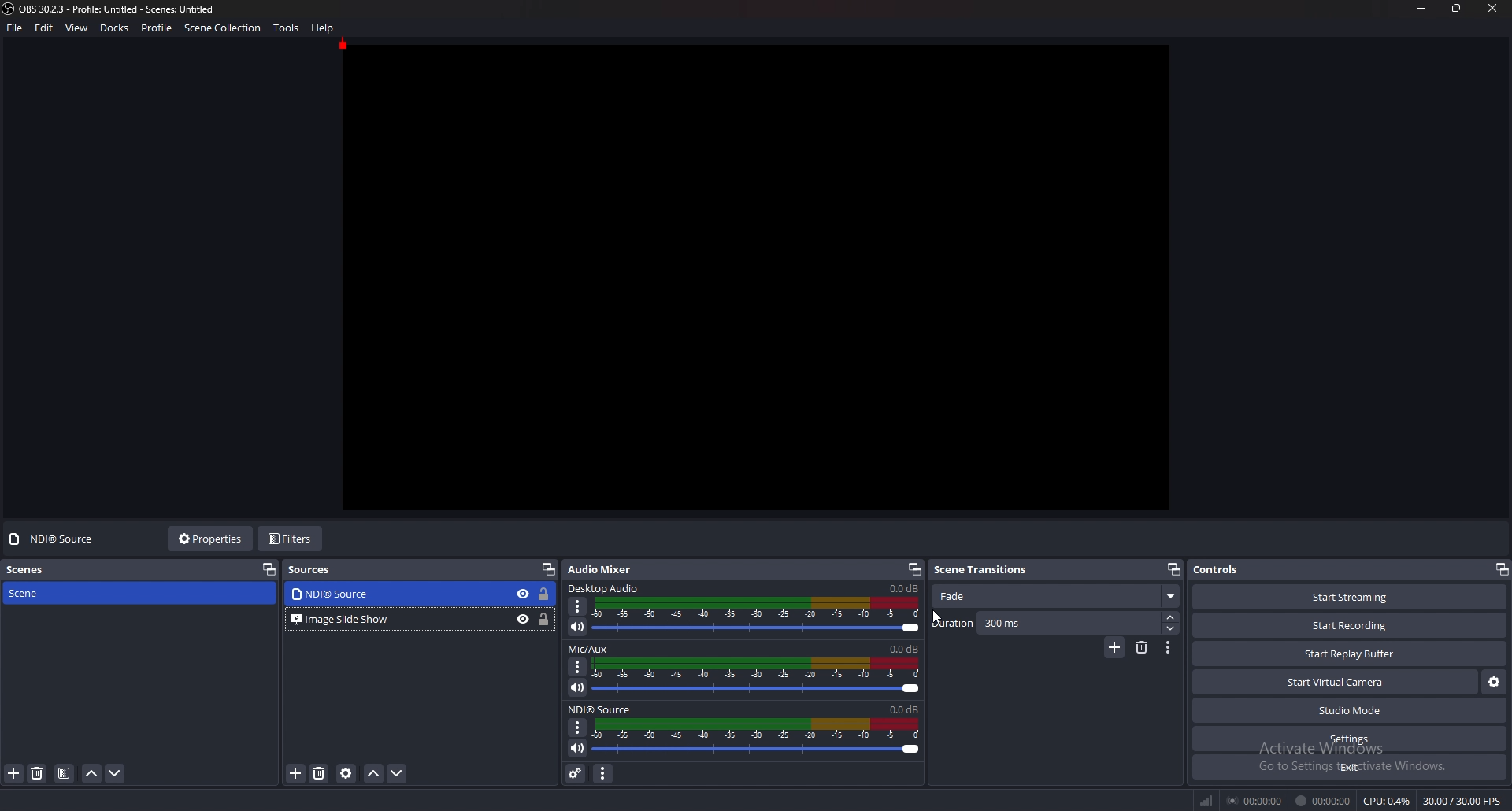 The width and height of the screenshot is (1512, 811). Describe the element at coordinates (902, 588) in the screenshot. I see `volume level` at that location.